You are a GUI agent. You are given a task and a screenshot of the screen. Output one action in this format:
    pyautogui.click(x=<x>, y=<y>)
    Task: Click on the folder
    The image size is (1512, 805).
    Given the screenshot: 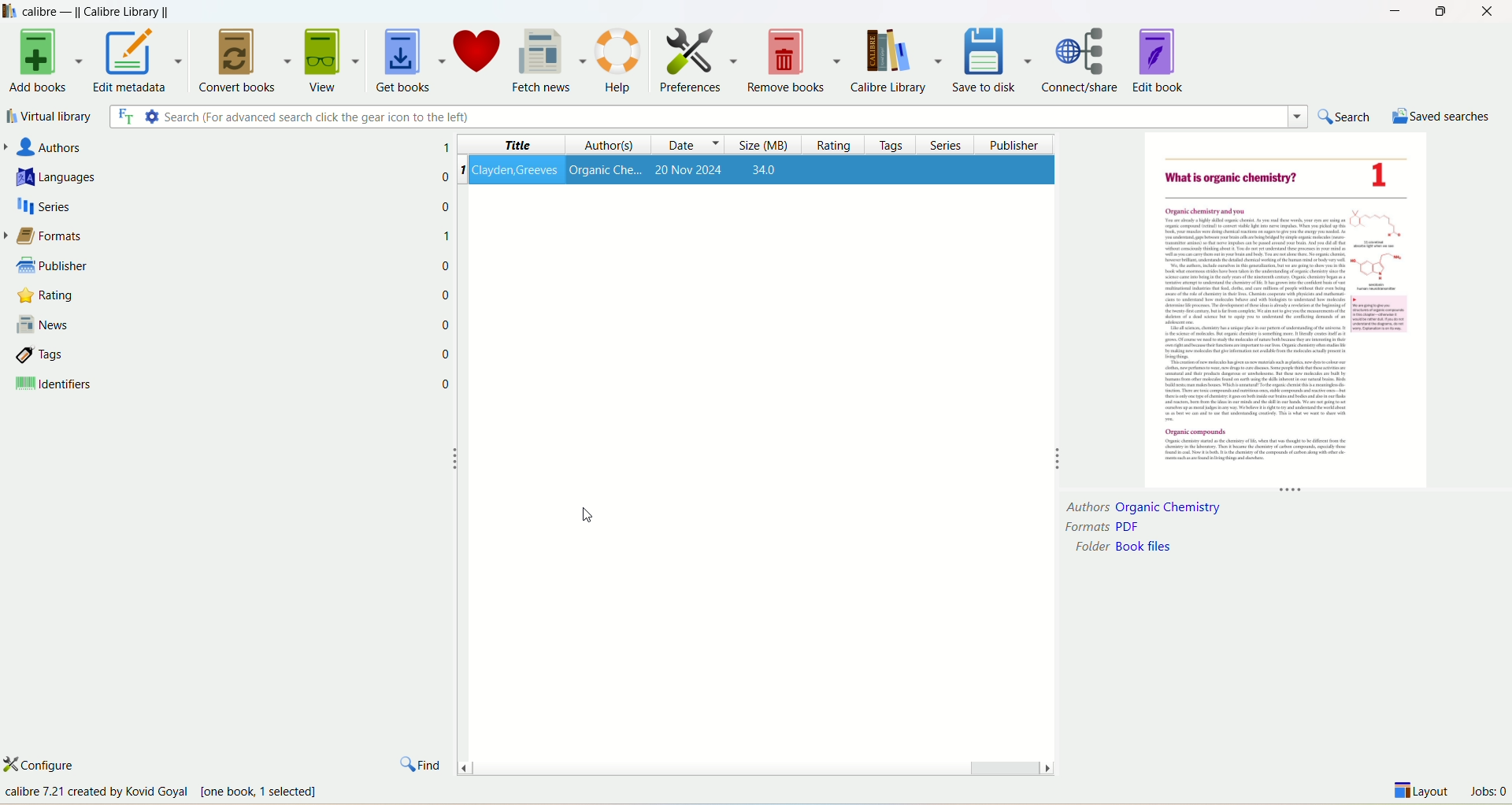 What is the action you would take?
    pyautogui.click(x=1123, y=547)
    